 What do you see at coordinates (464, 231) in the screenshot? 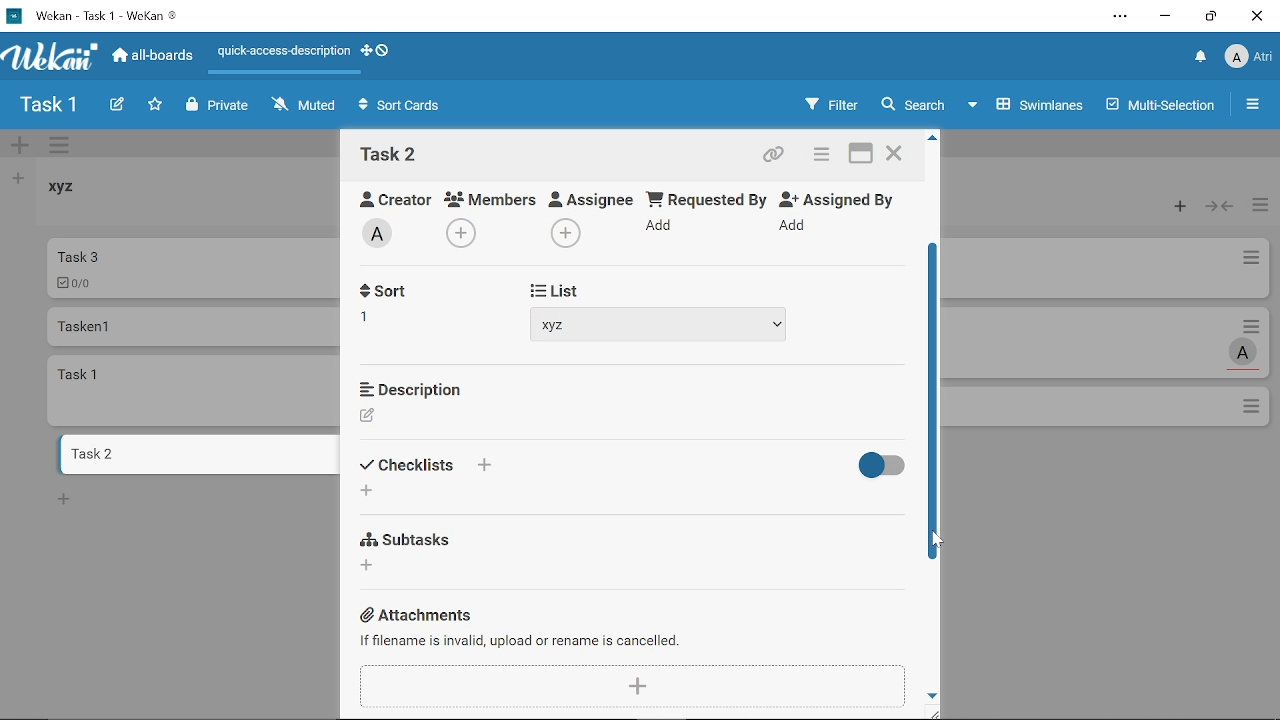
I see `Add` at bounding box center [464, 231].